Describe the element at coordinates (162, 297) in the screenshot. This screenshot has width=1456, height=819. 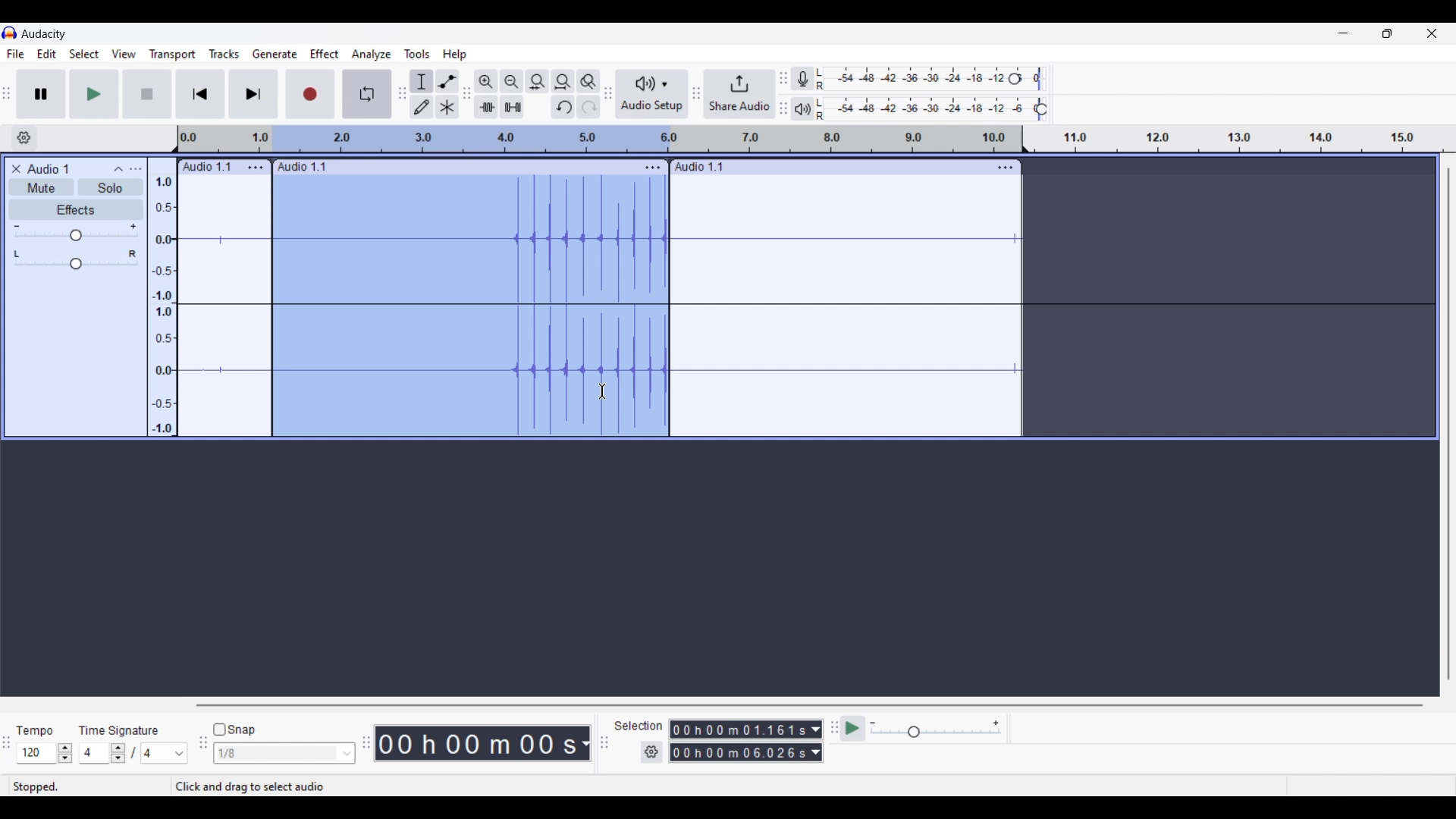
I see `Scale to measure audio pitch` at that location.